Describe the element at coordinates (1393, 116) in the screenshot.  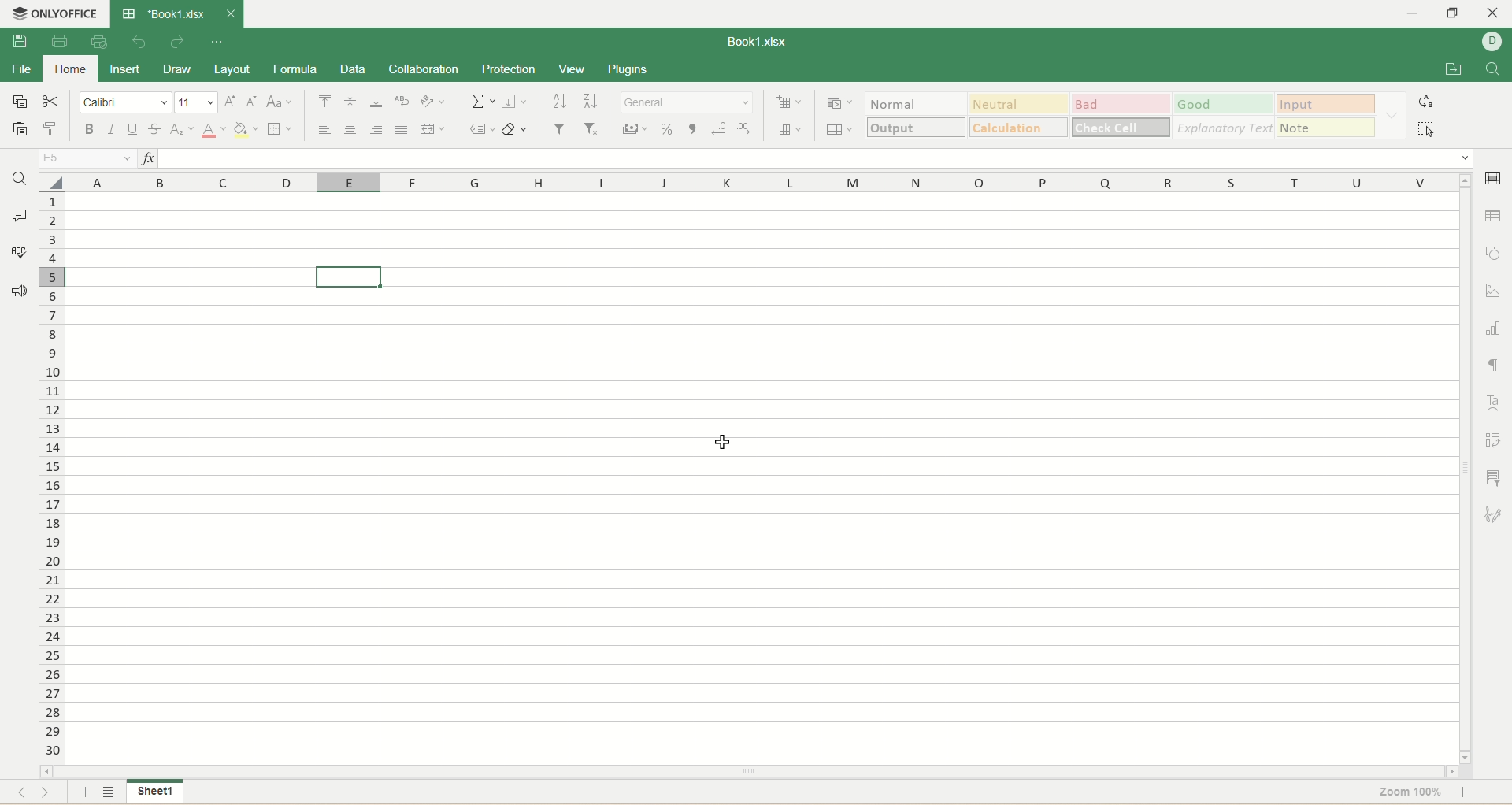
I see `formatting options` at that location.